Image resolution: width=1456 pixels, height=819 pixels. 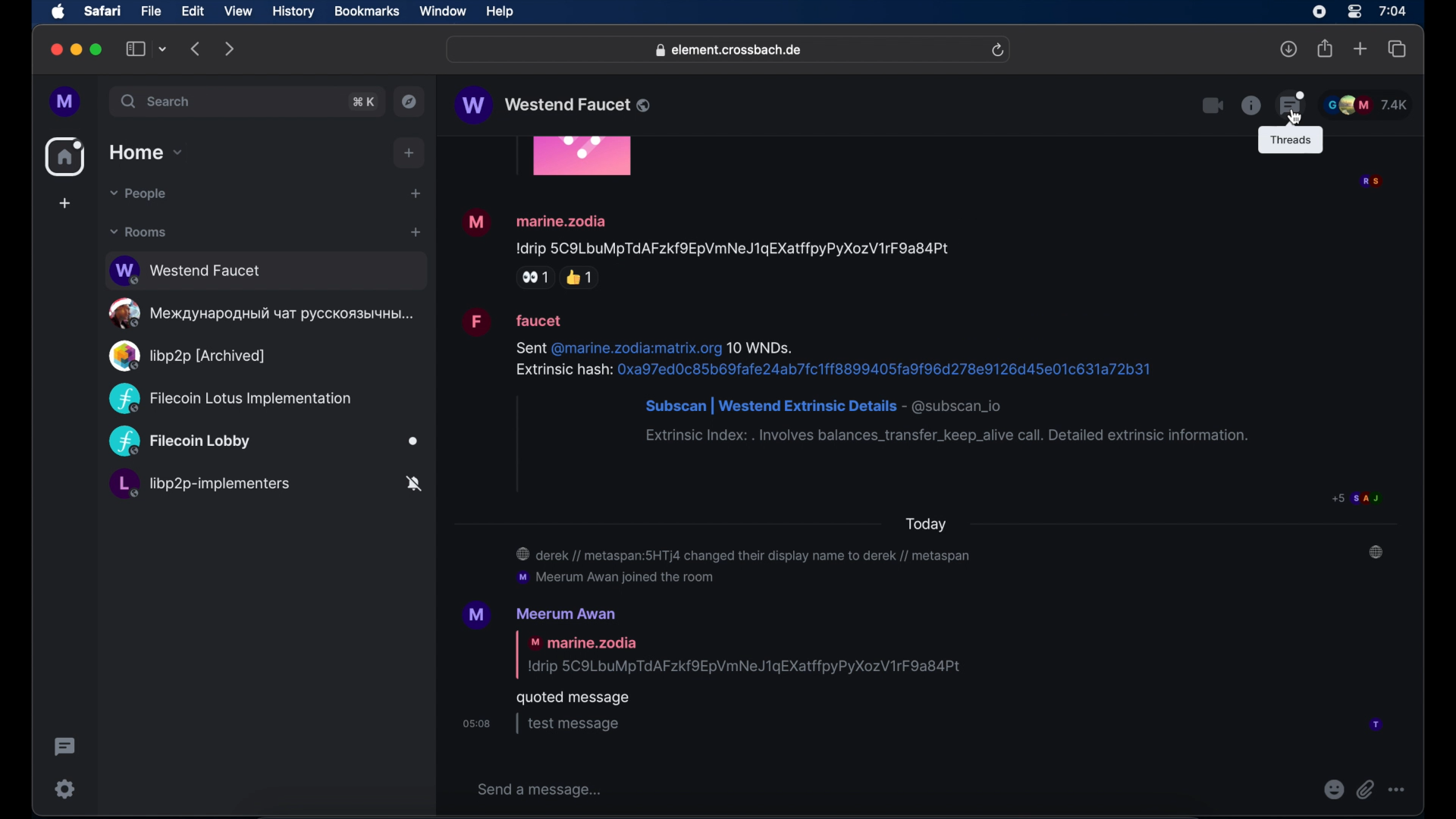 I want to click on close, so click(x=55, y=49).